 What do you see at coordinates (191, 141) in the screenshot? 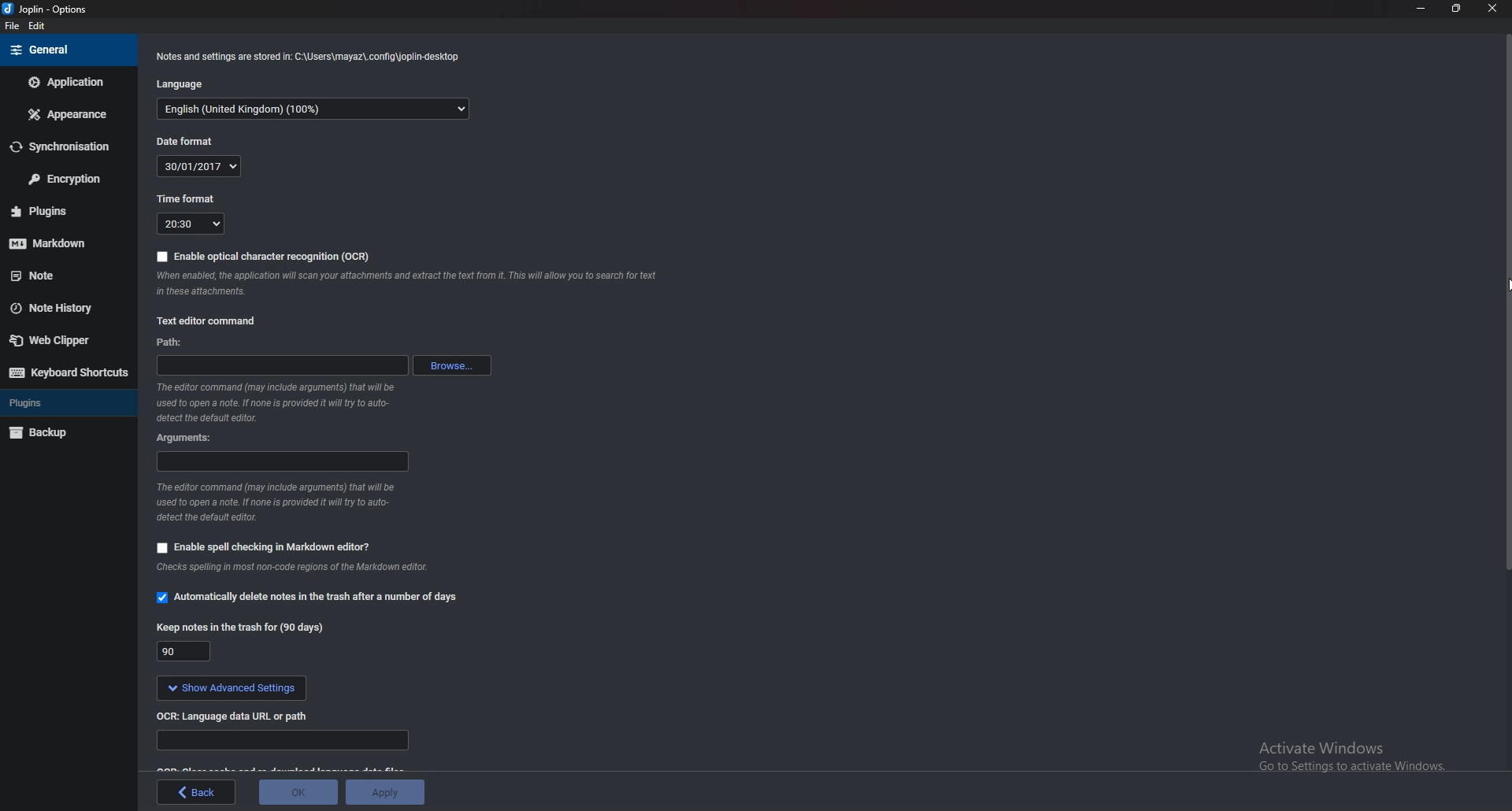
I see `Date format` at bounding box center [191, 141].